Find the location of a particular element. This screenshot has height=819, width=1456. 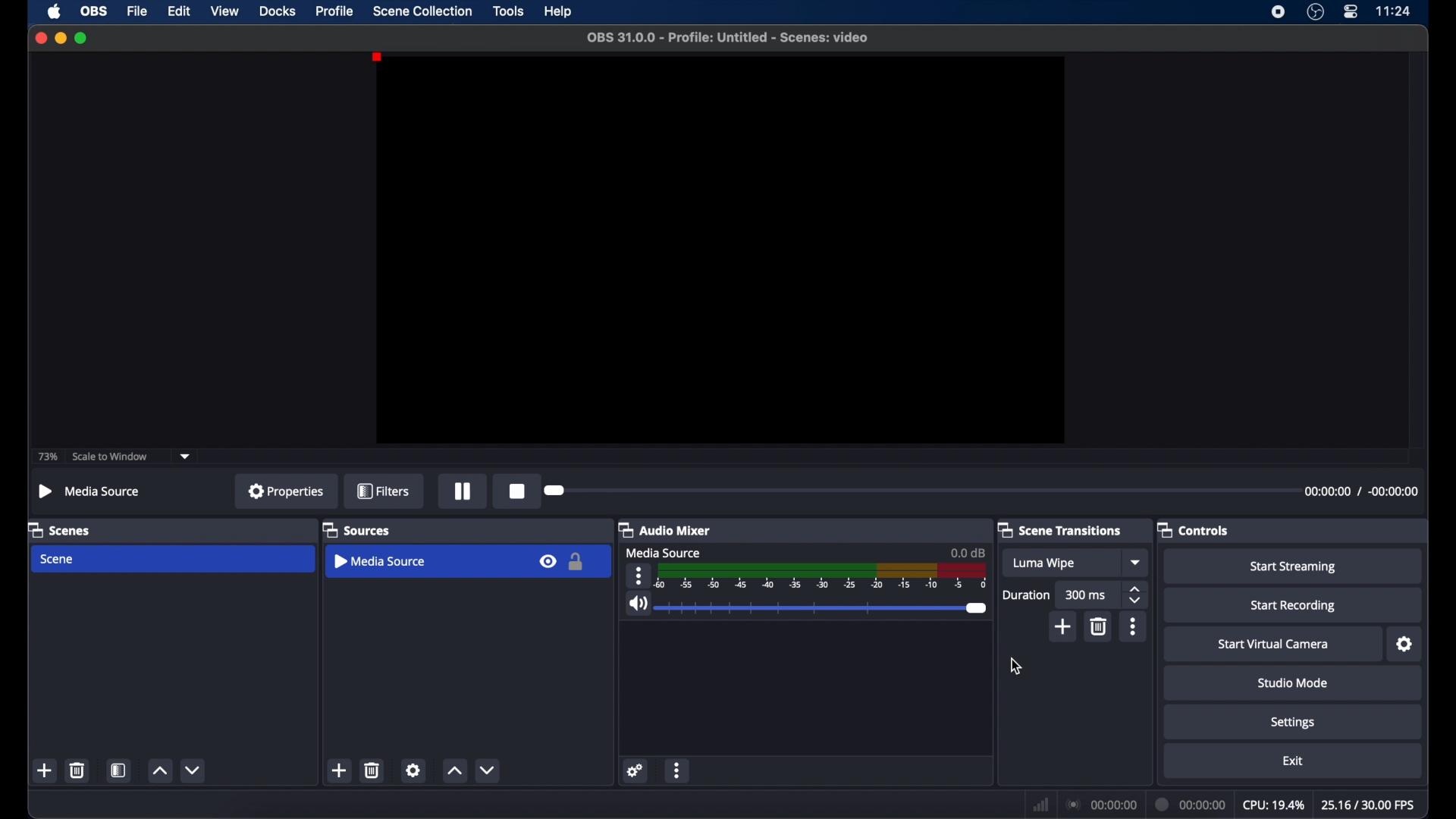

scene is located at coordinates (59, 560).